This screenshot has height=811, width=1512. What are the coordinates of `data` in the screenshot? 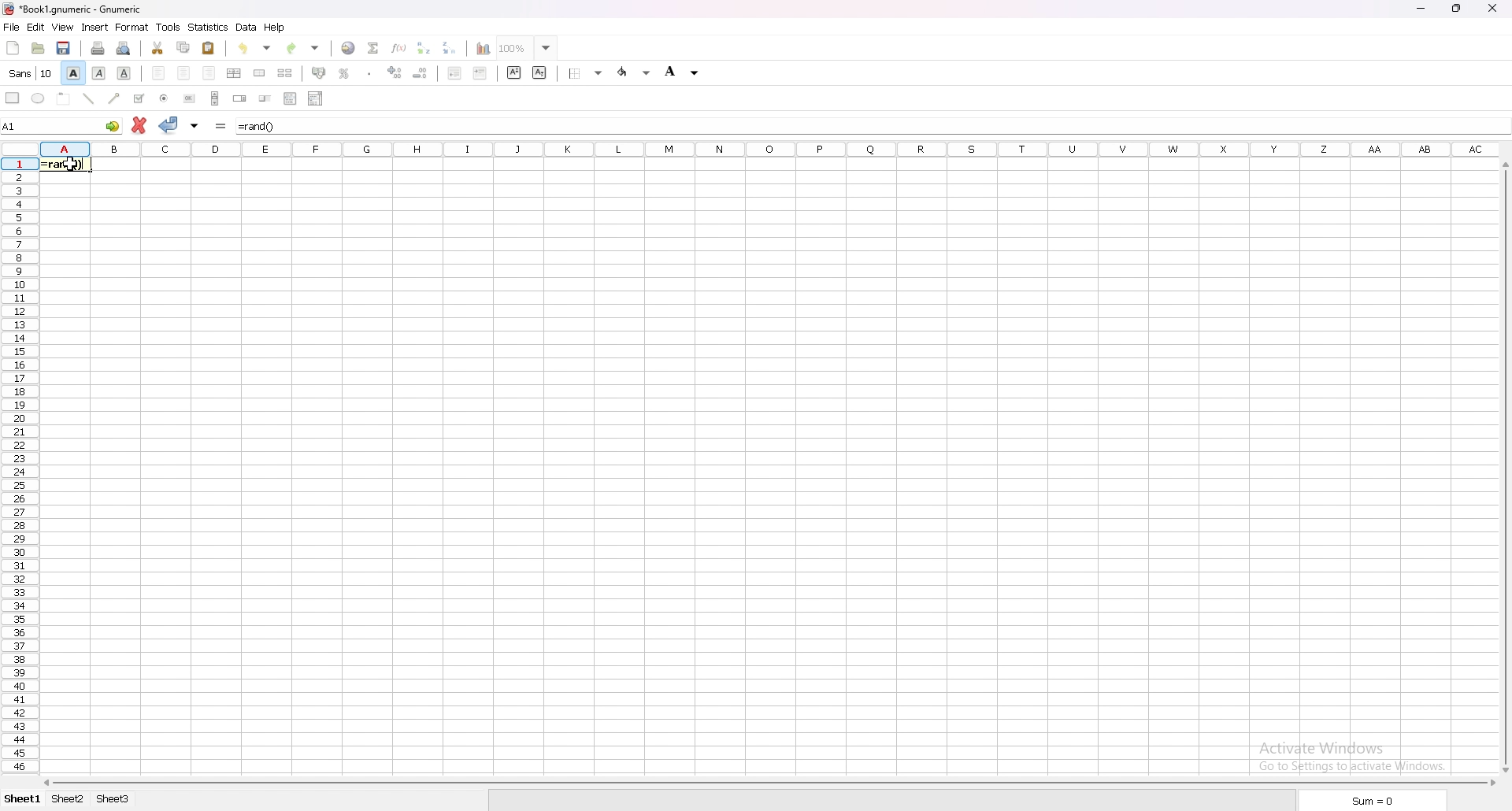 It's located at (246, 27).